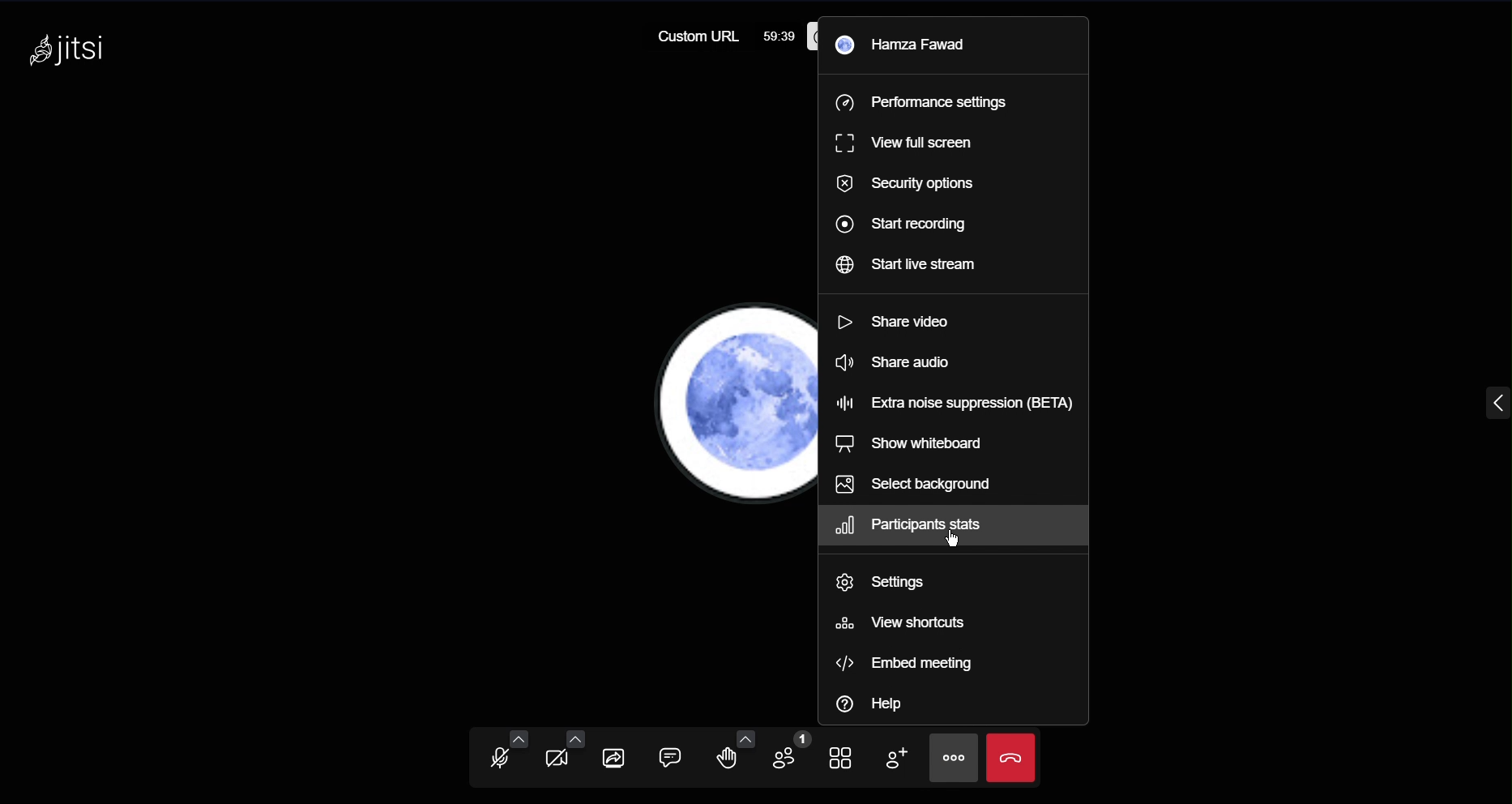 This screenshot has height=804, width=1512. Describe the element at coordinates (917, 483) in the screenshot. I see `Select background` at that location.